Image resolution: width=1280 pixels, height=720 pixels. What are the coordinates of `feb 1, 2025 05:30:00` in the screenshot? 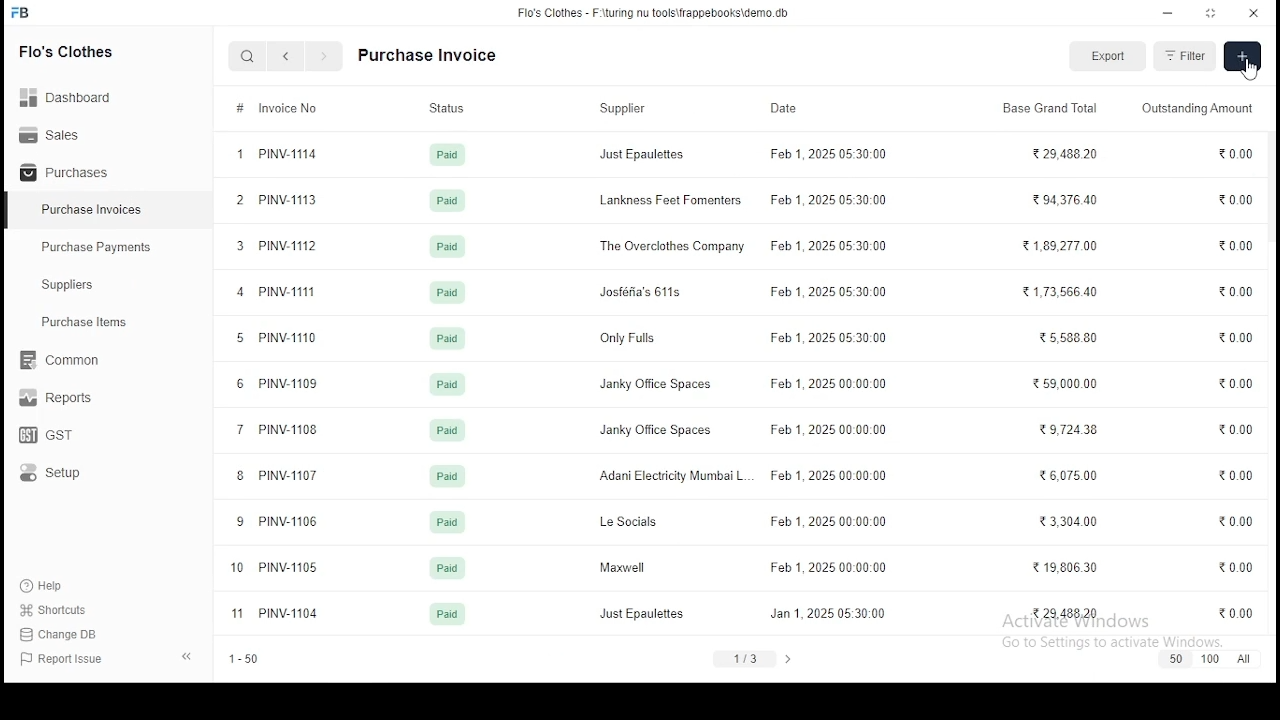 It's located at (825, 613).